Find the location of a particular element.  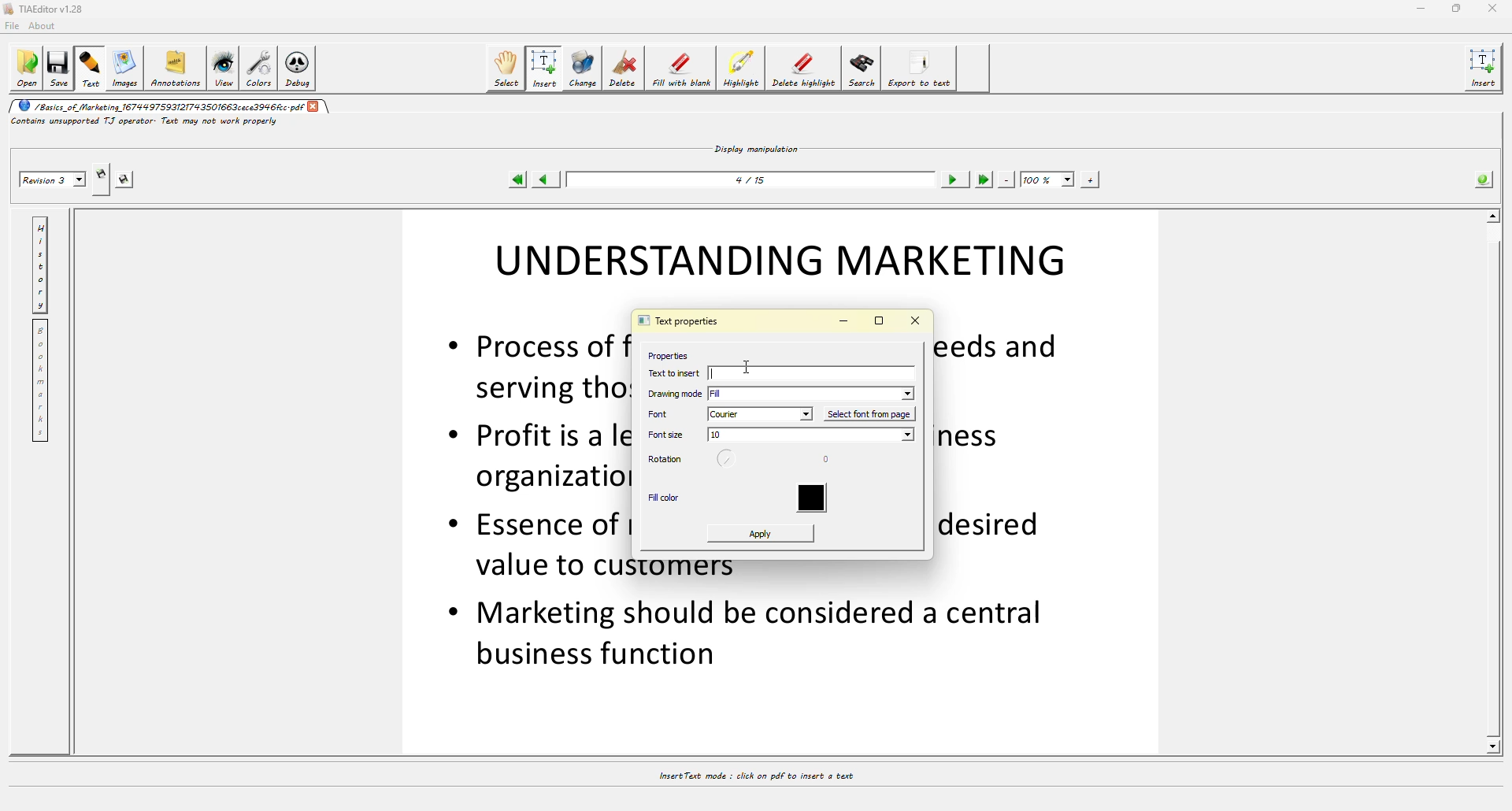

view is located at coordinates (222, 68).